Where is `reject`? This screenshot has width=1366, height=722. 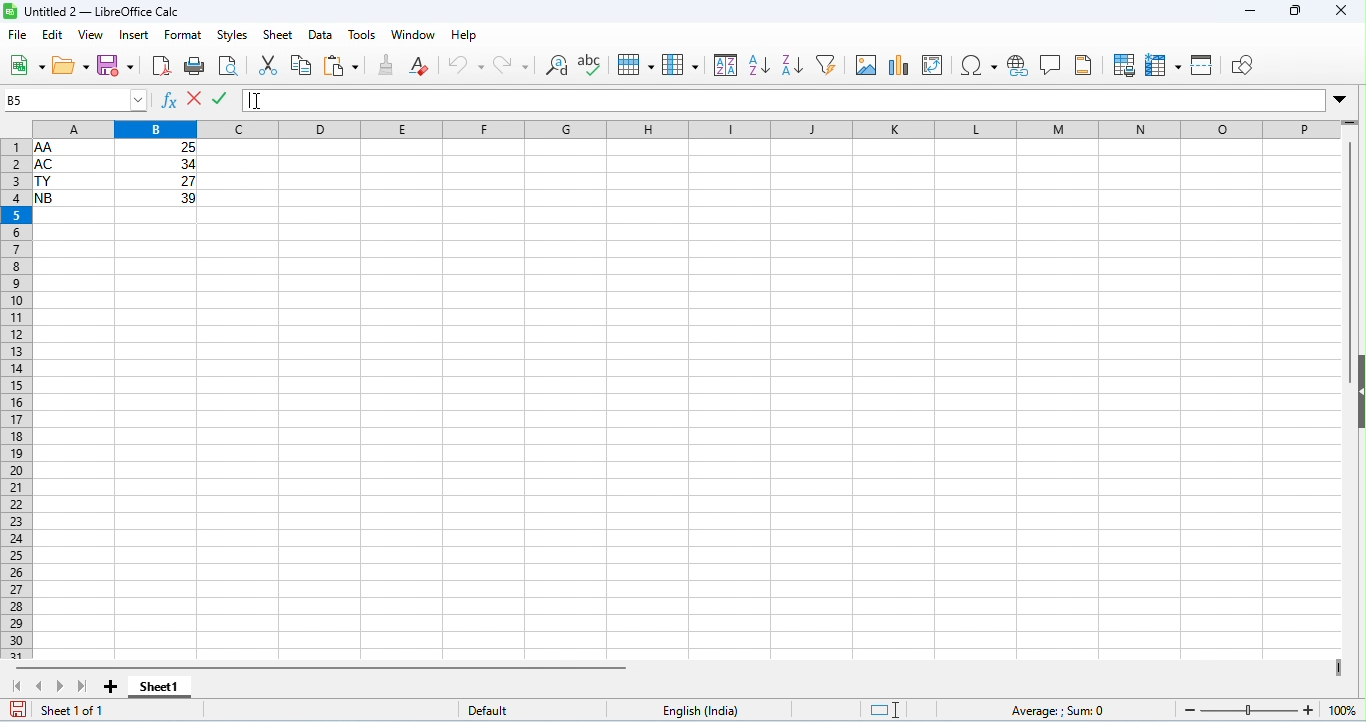 reject is located at coordinates (196, 97).